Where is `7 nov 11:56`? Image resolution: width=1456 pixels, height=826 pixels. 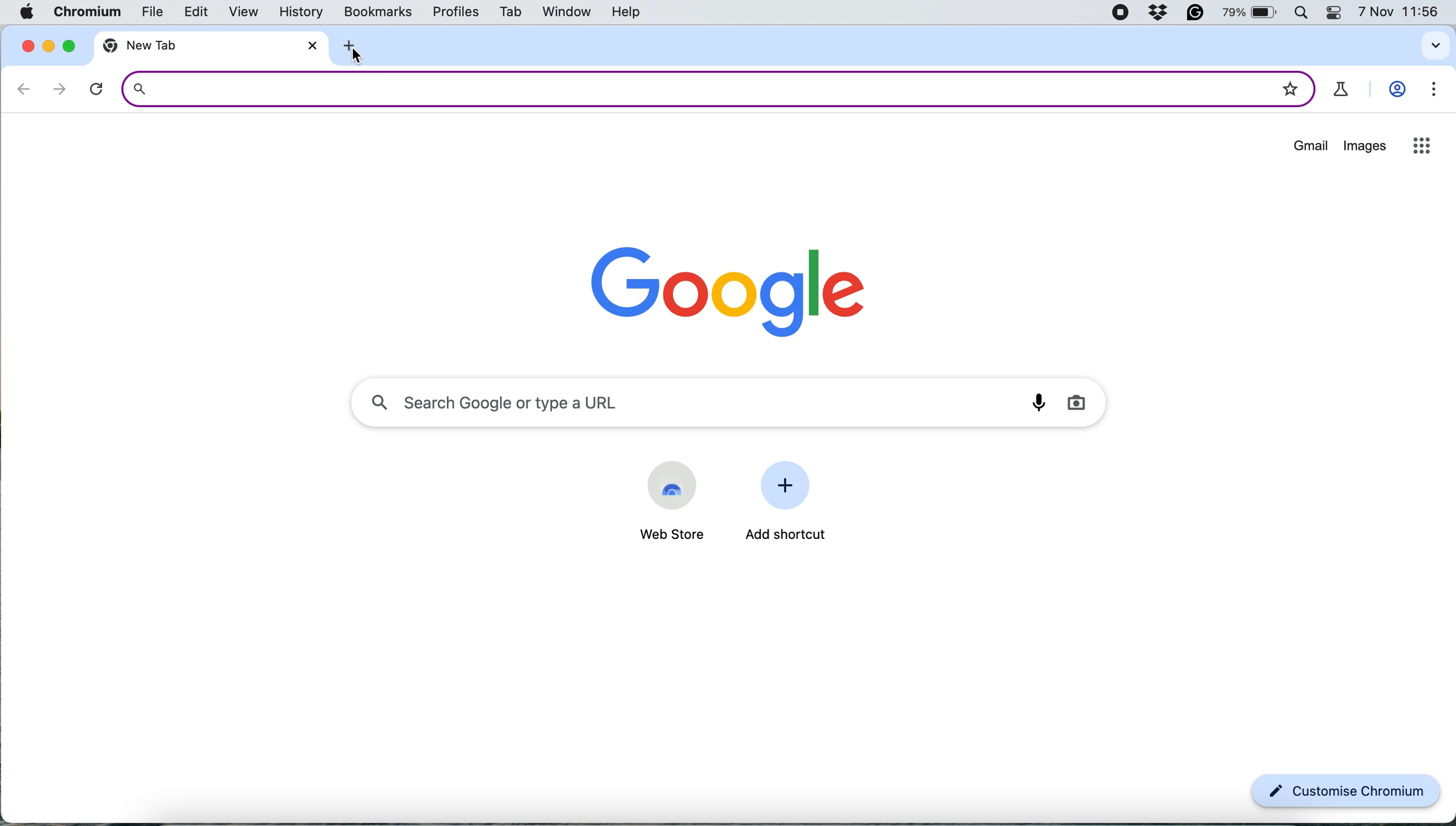
7 nov 11:56 is located at coordinates (1399, 13).